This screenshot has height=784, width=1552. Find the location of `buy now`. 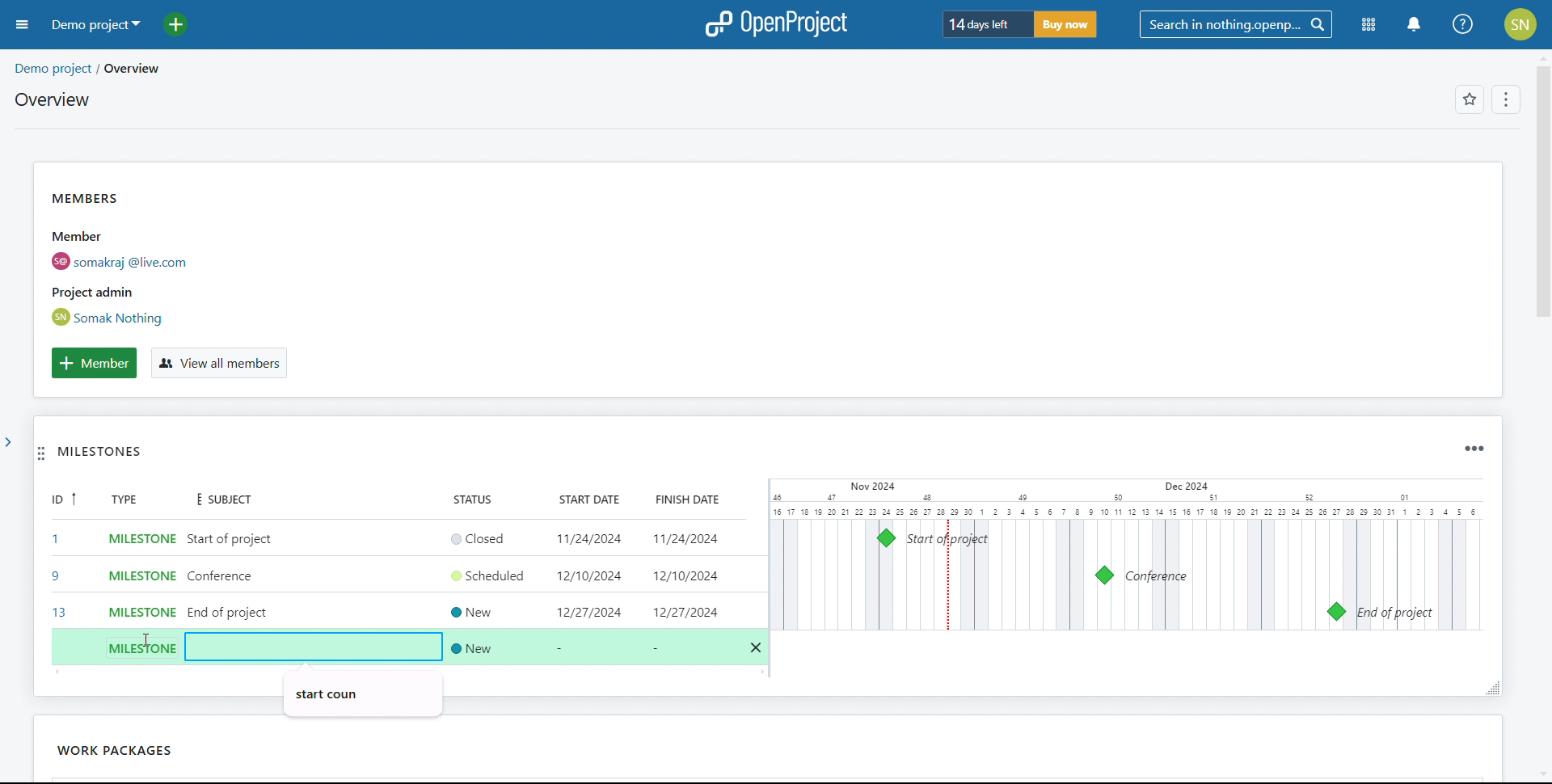

buy now is located at coordinates (1064, 24).